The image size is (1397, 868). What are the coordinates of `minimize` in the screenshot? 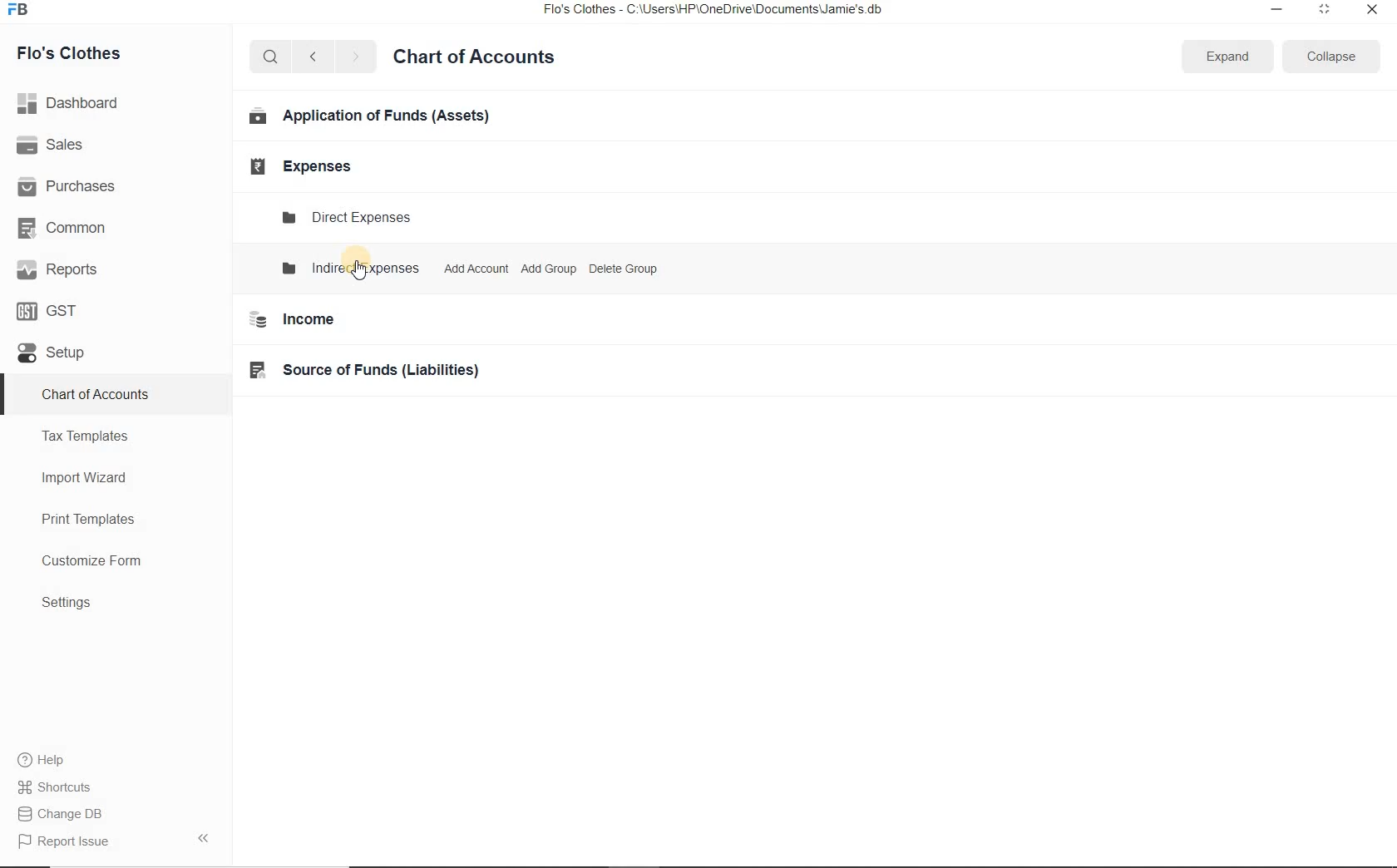 It's located at (1277, 11).